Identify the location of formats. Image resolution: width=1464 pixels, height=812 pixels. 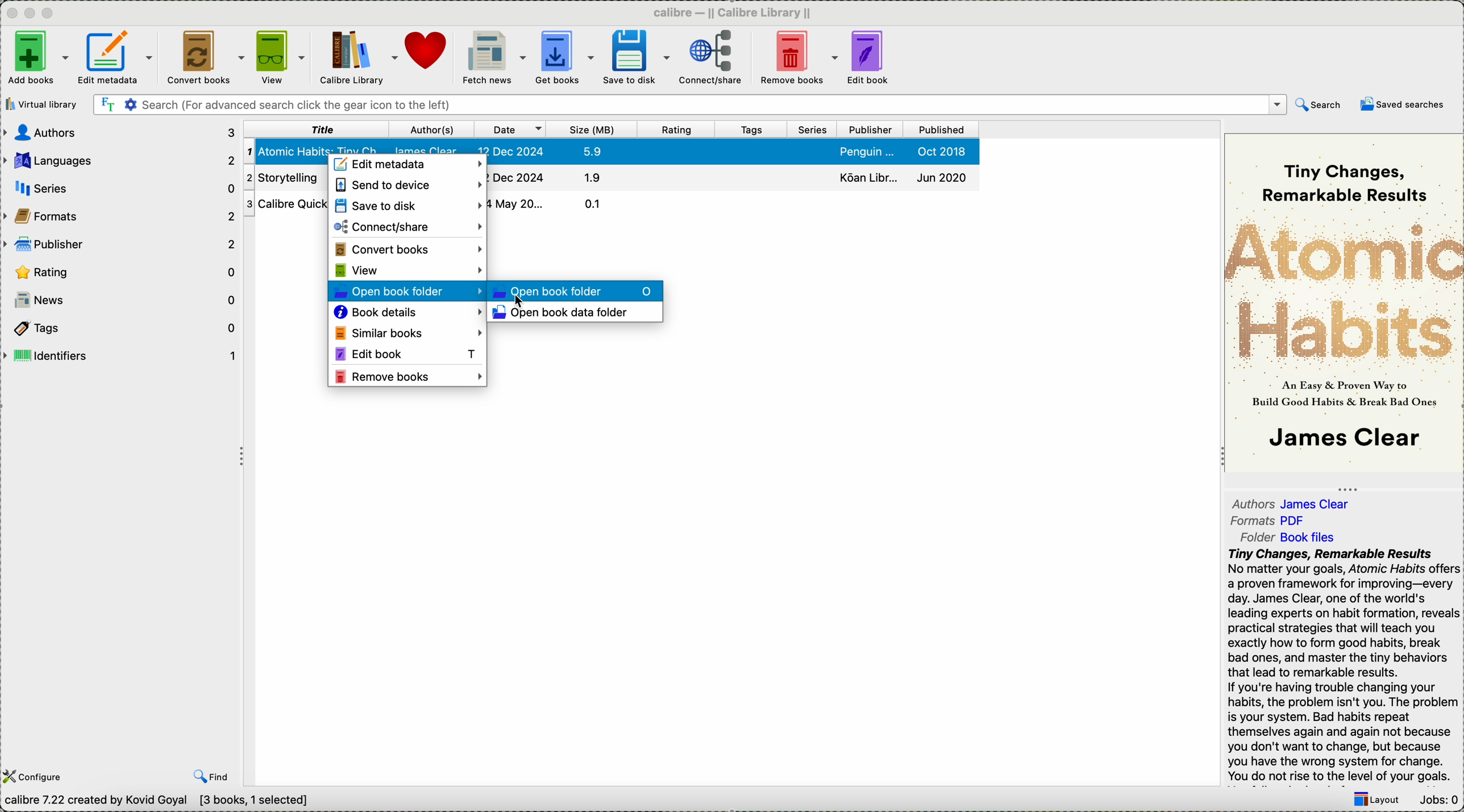
(121, 215).